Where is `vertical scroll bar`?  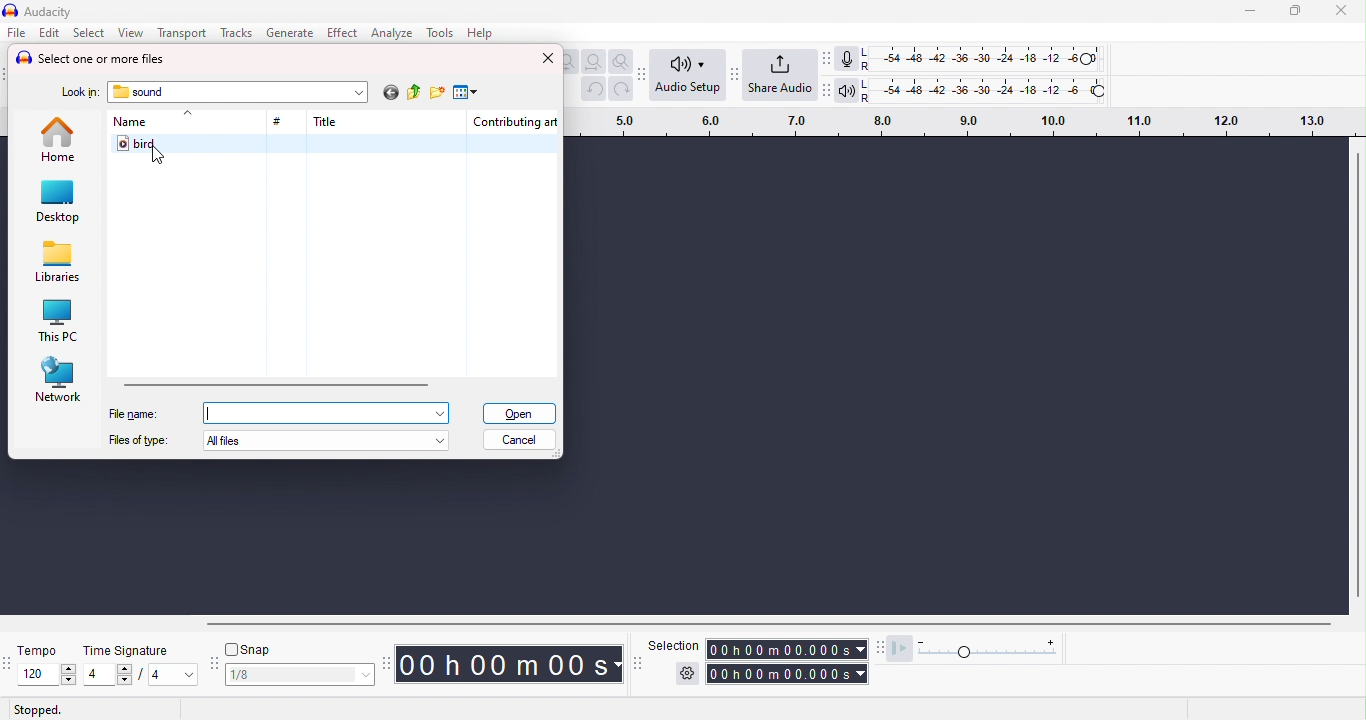 vertical scroll bar is located at coordinates (1357, 374).